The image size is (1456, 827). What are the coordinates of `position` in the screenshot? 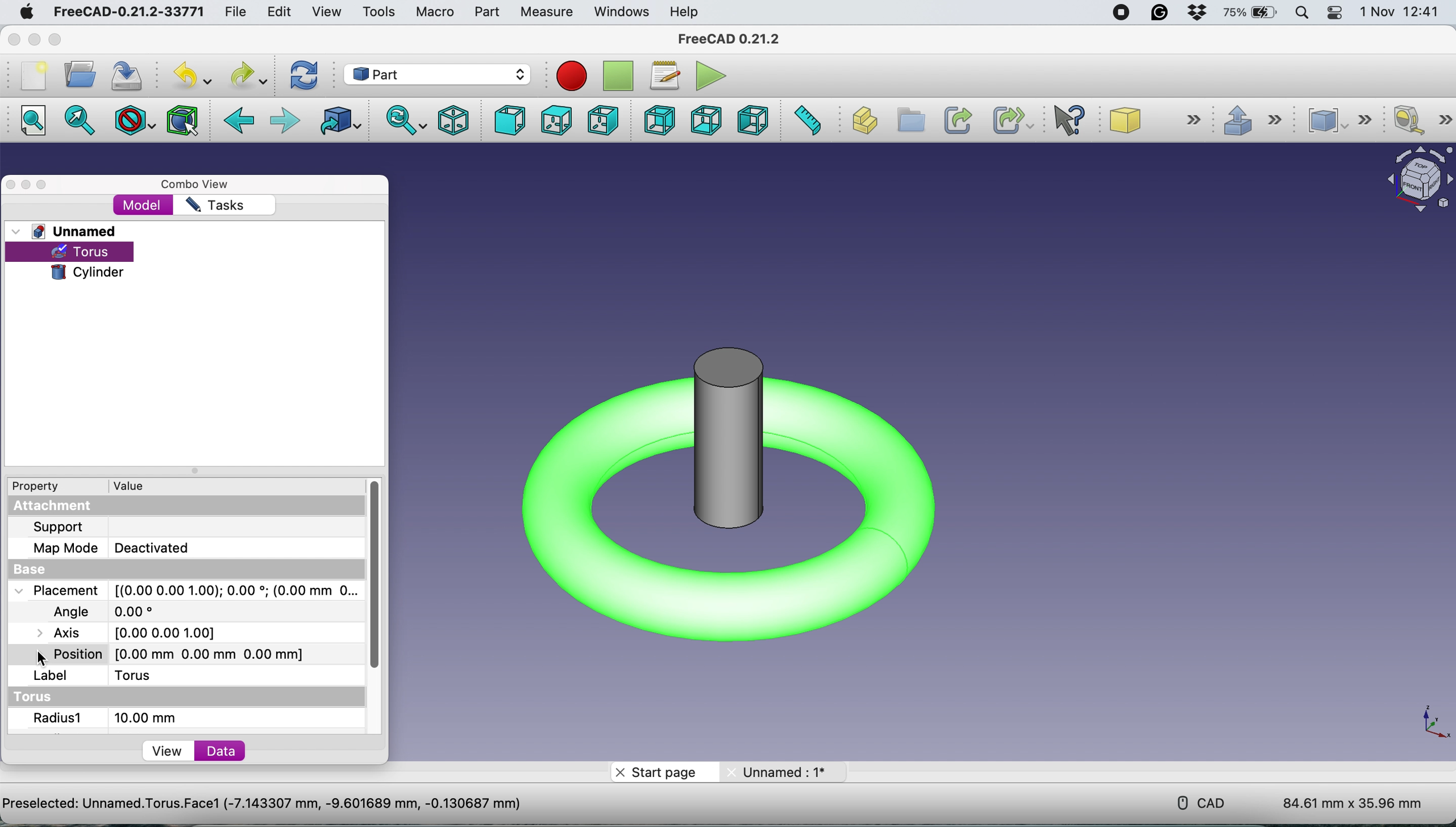 It's located at (177, 652).